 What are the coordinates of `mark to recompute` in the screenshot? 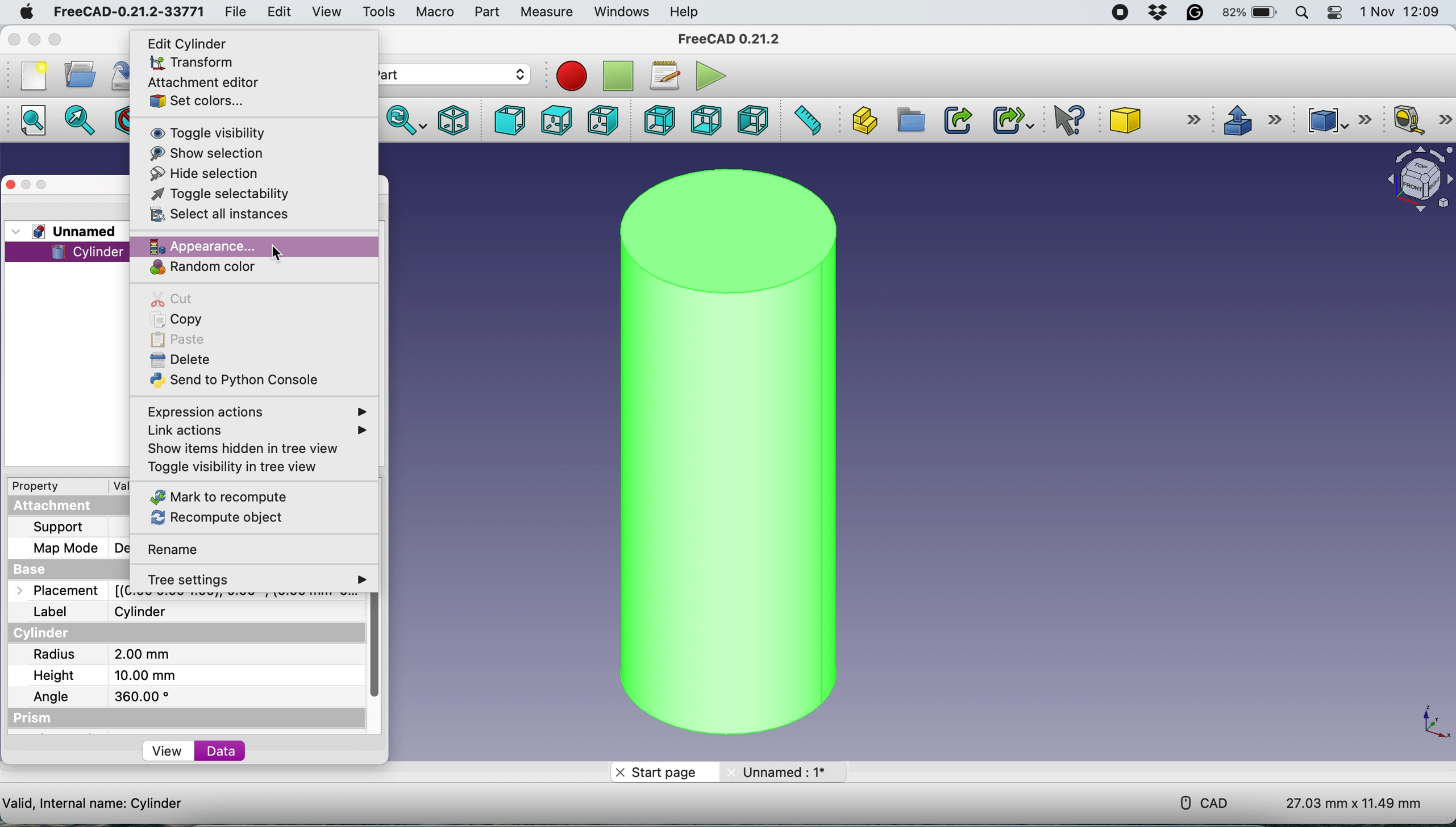 It's located at (231, 496).